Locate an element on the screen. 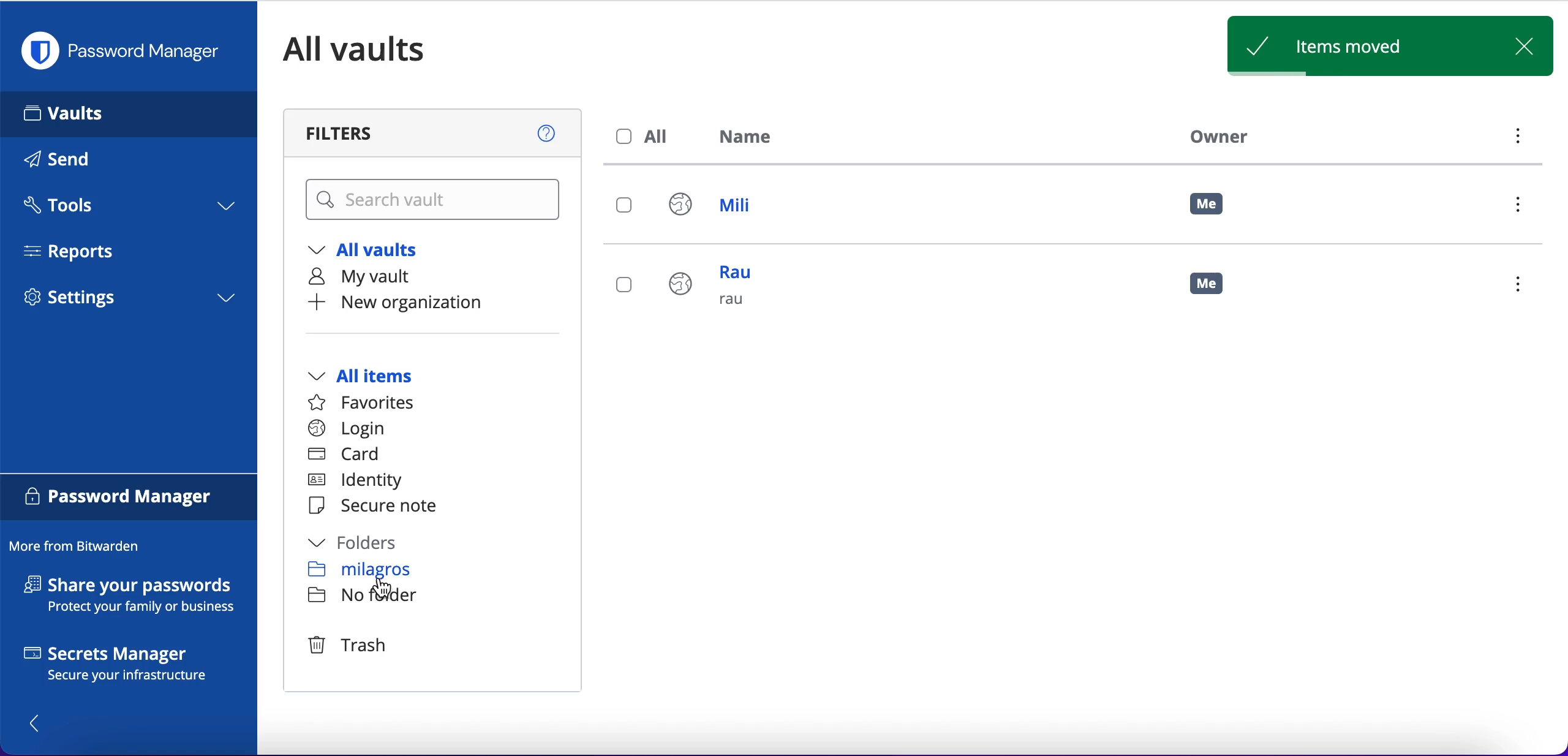 Image resolution: width=1568 pixels, height=756 pixels. all items is located at coordinates (379, 377).